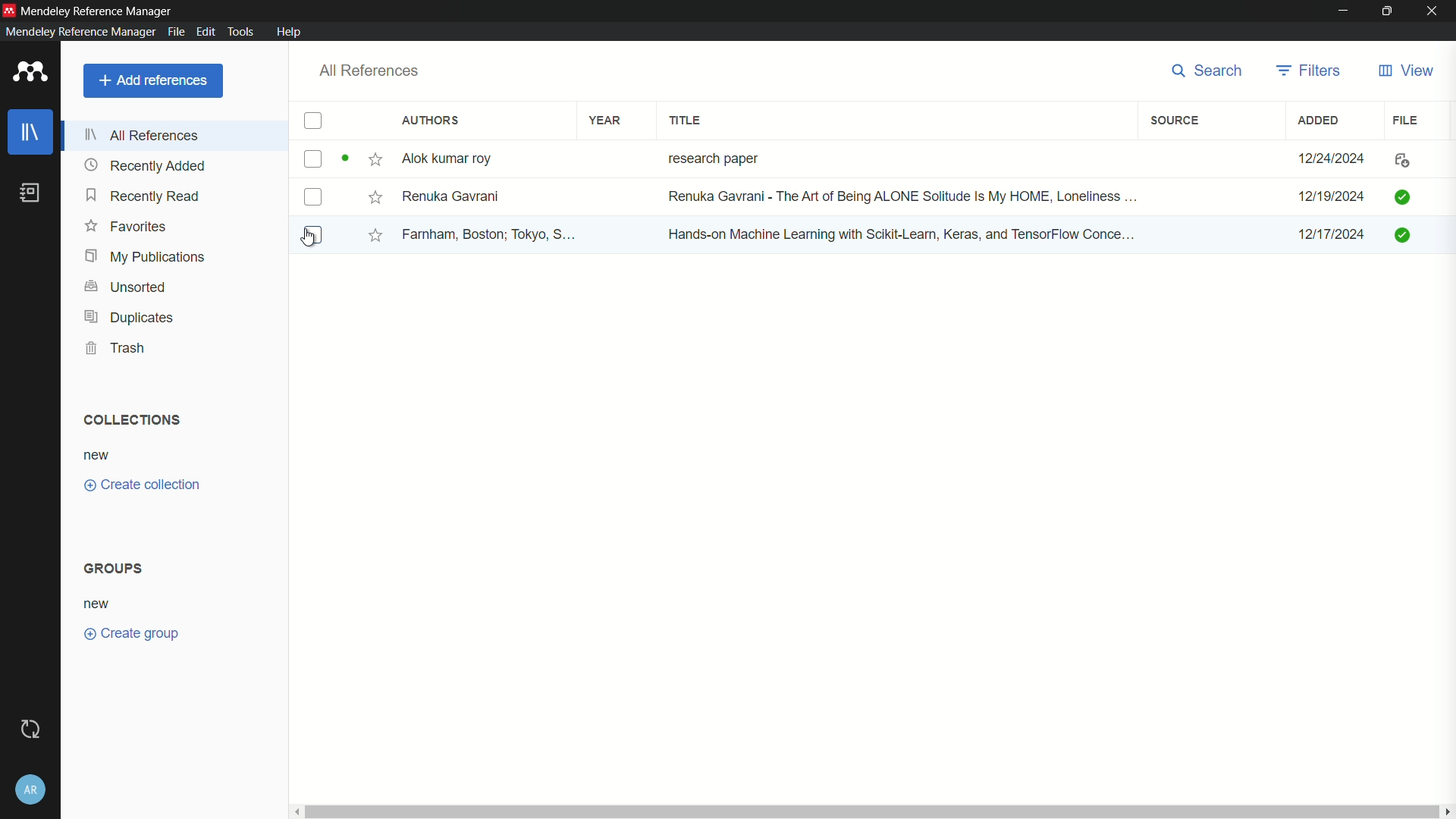  Describe the element at coordinates (30, 193) in the screenshot. I see `book` at that location.